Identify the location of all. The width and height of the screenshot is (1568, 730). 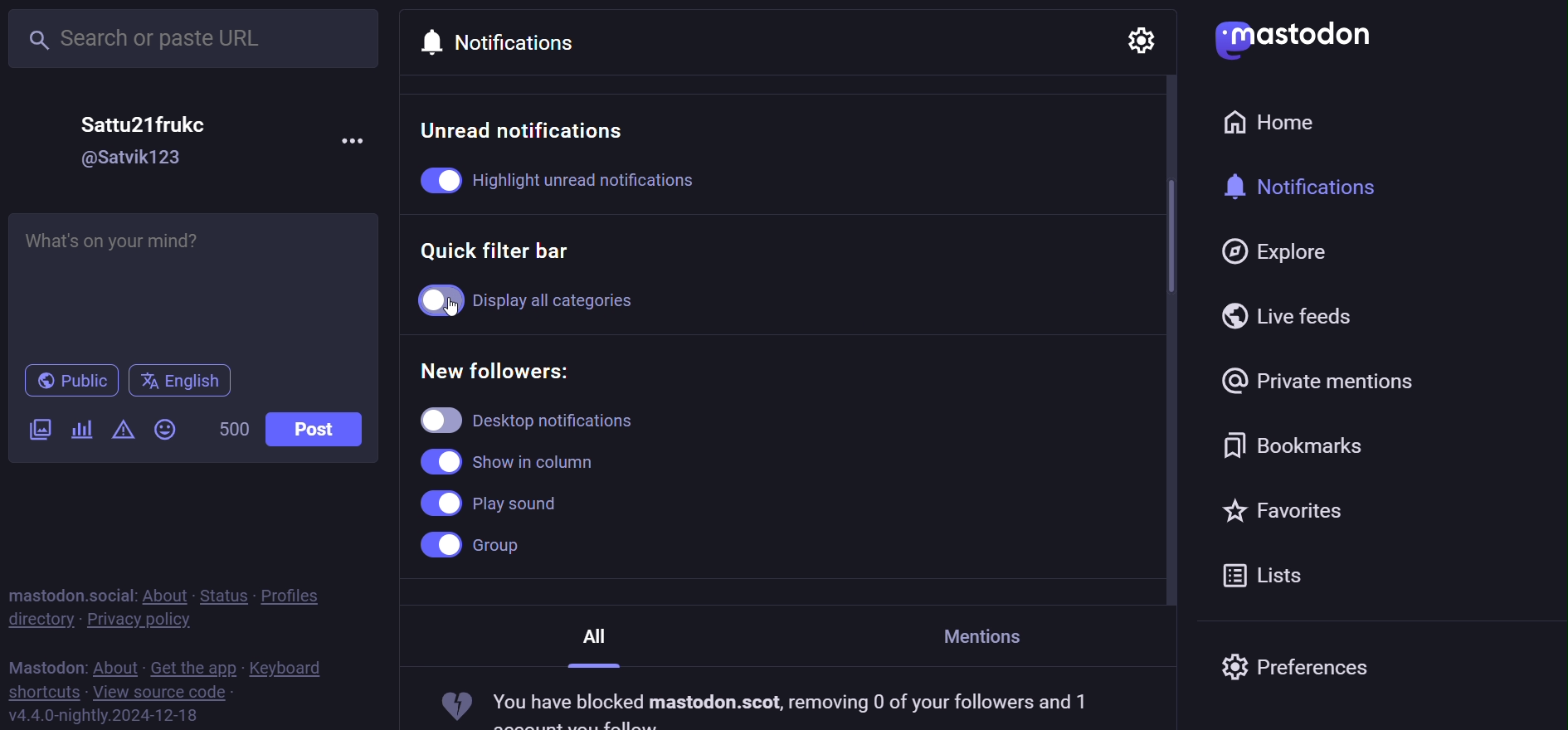
(599, 638).